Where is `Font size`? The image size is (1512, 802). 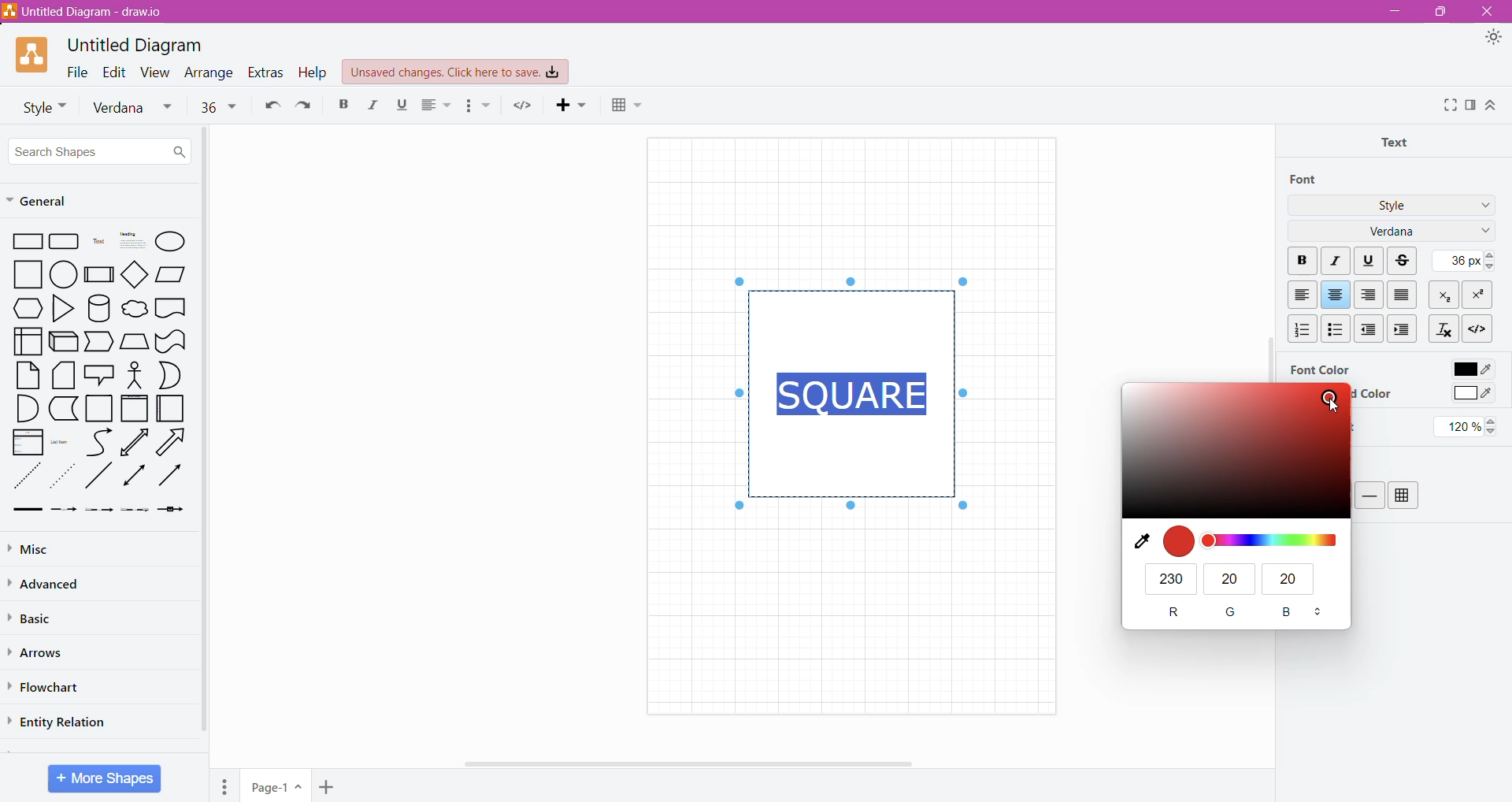 Font size is located at coordinates (218, 106).